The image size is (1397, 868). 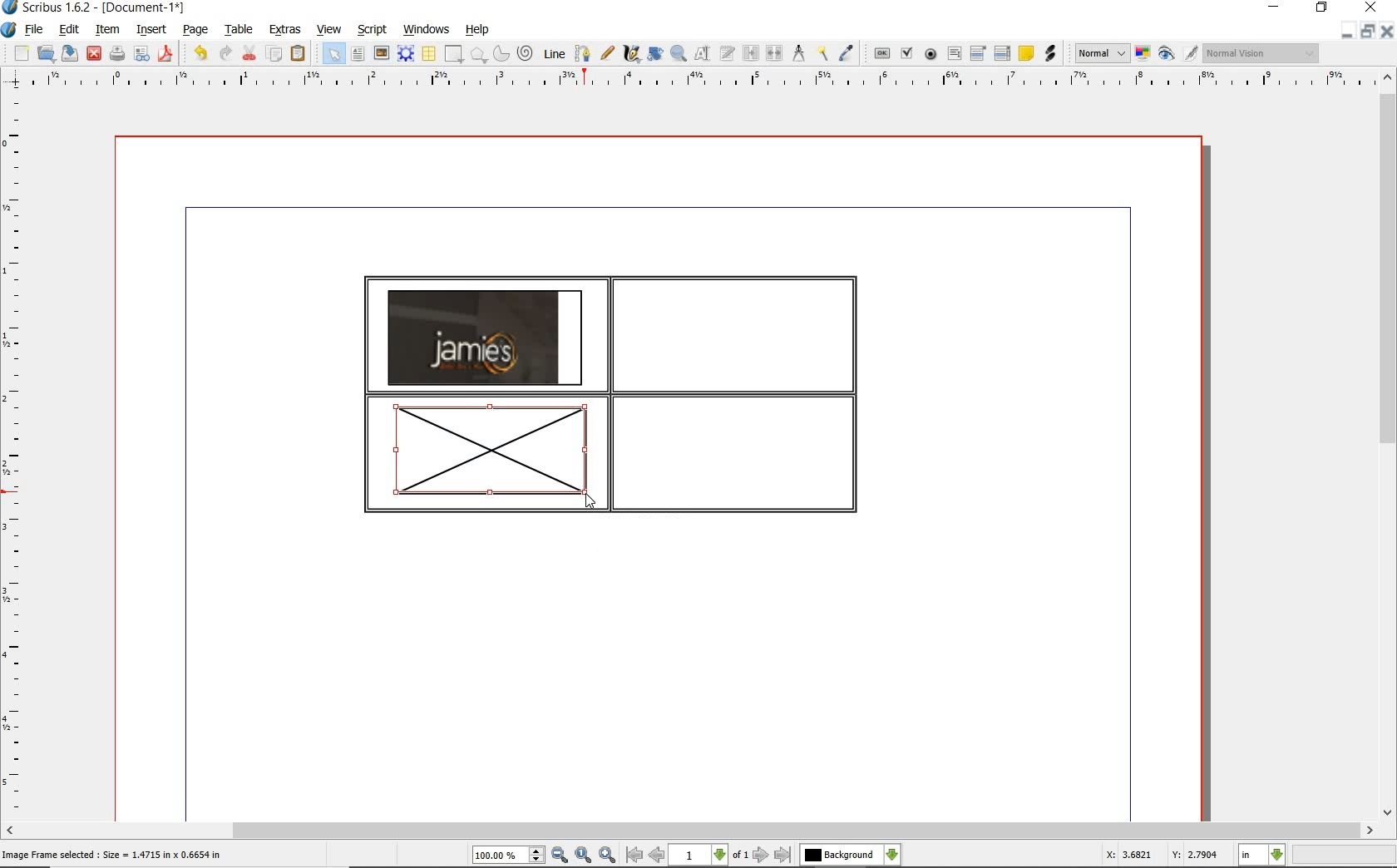 What do you see at coordinates (1387, 446) in the screenshot?
I see `scrollbar` at bounding box center [1387, 446].